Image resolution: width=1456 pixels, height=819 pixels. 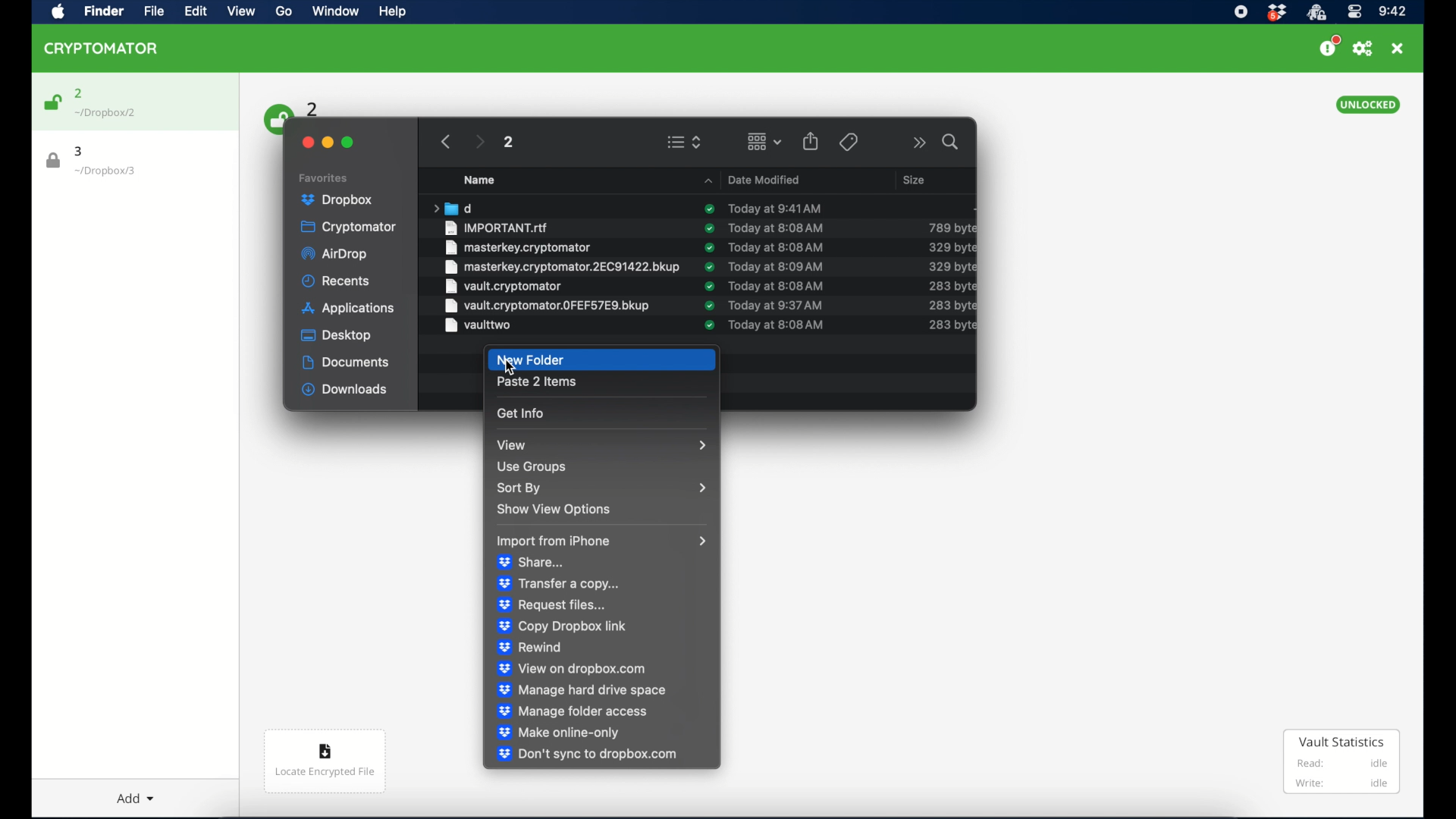 I want to click on date, so click(x=776, y=325).